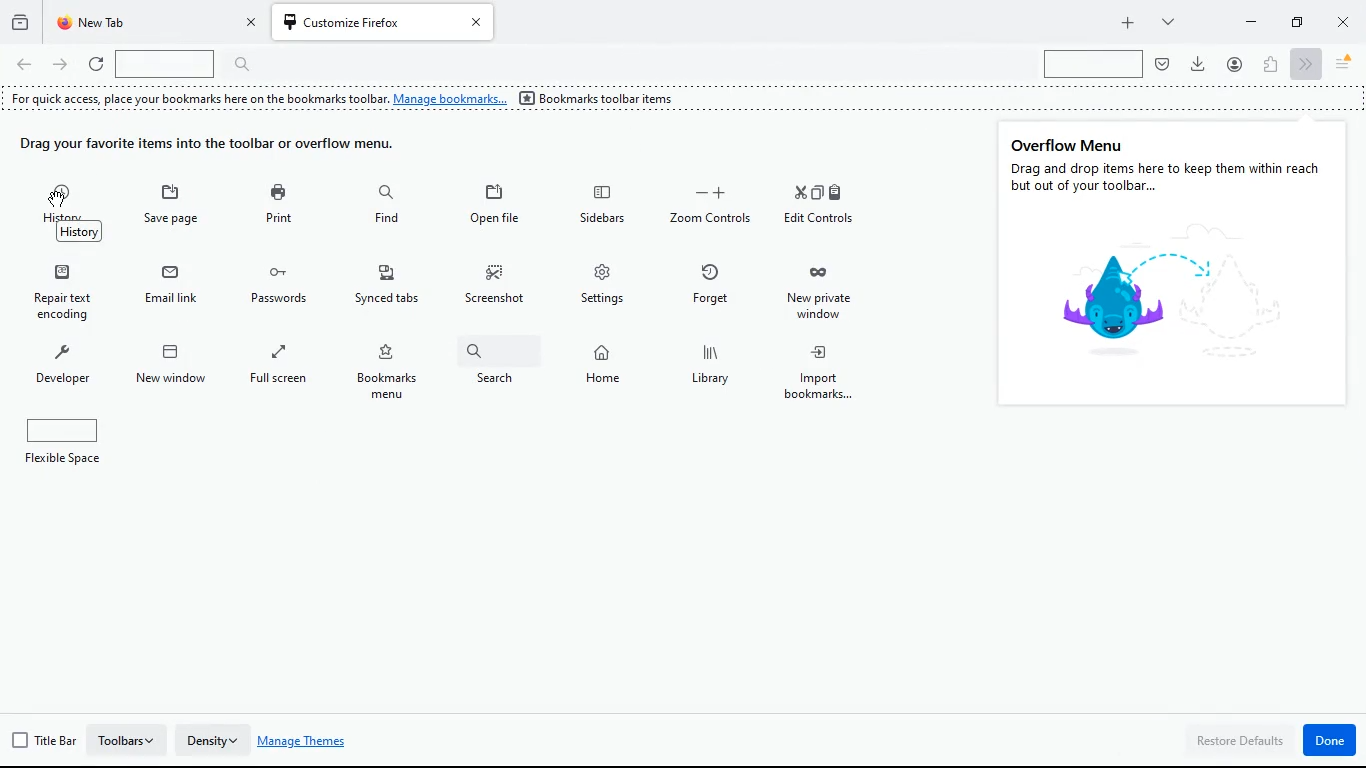 The width and height of the screenshot is (1366, 768). What do you see at coordinates (1163, 64) in the screenshot?
I see `pocket` at bounding box center [1163, 64].